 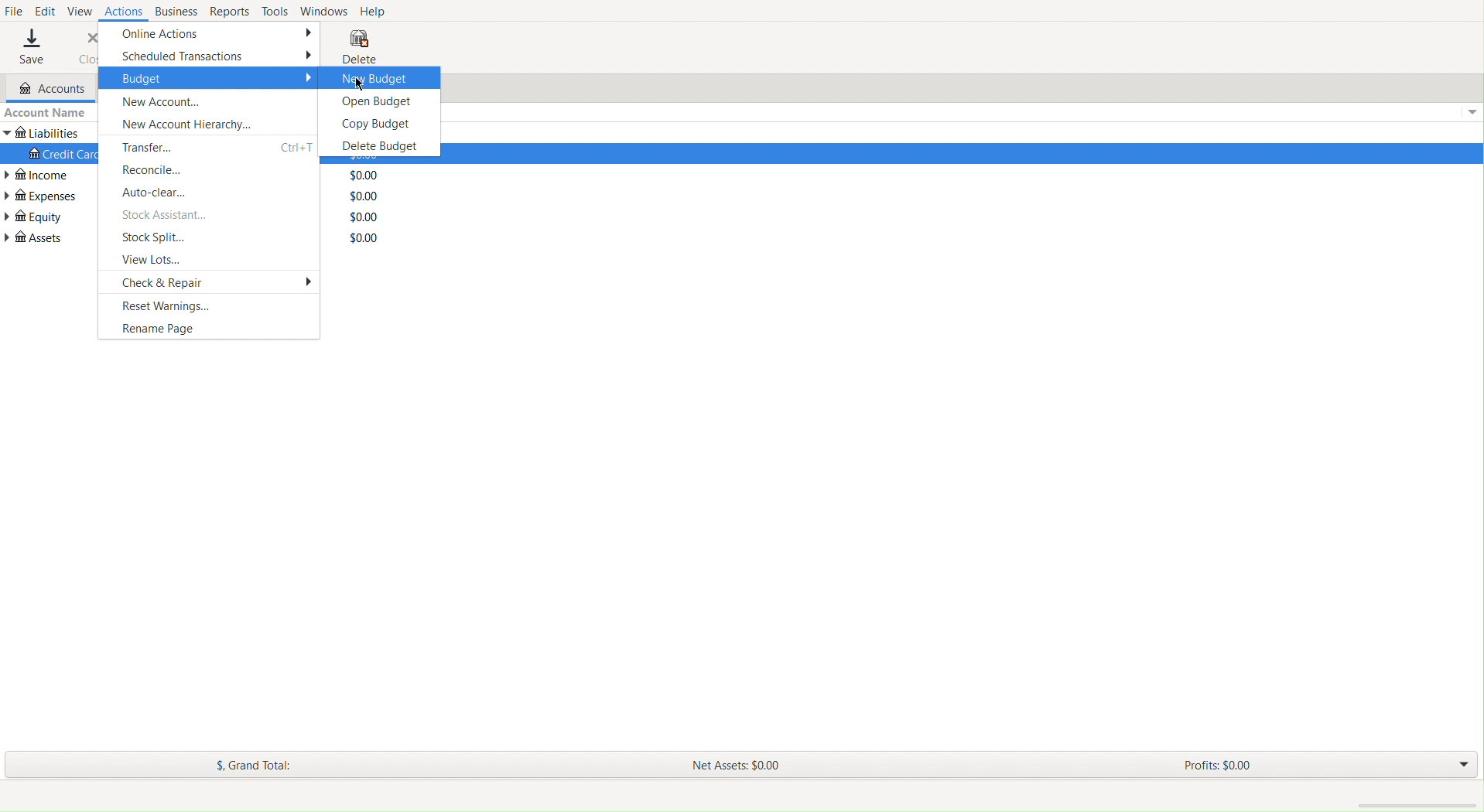 I want to click on Equity, so click(x=36, y=218).